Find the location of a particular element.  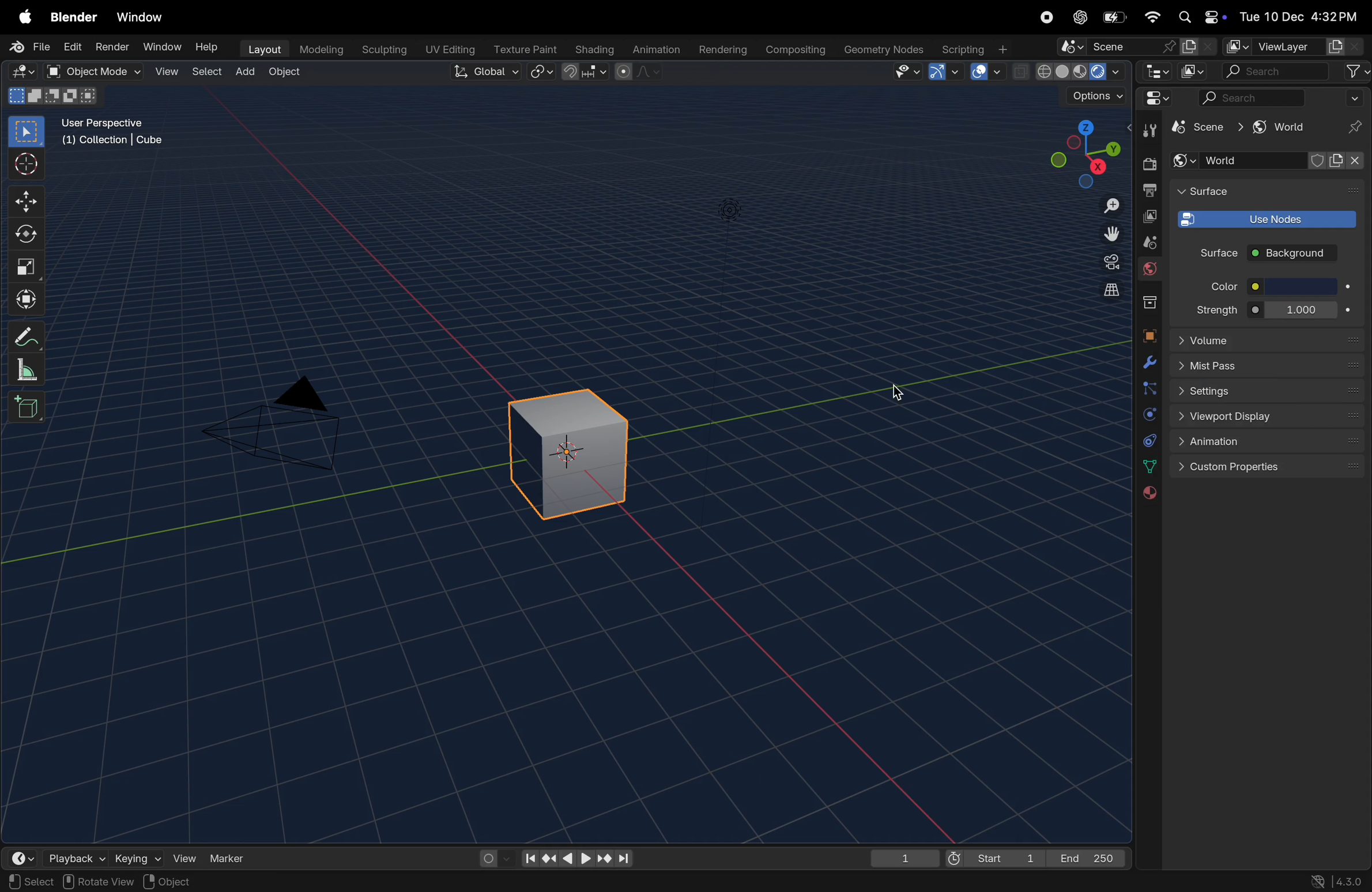

physics is located at coordinates (1148, 416).